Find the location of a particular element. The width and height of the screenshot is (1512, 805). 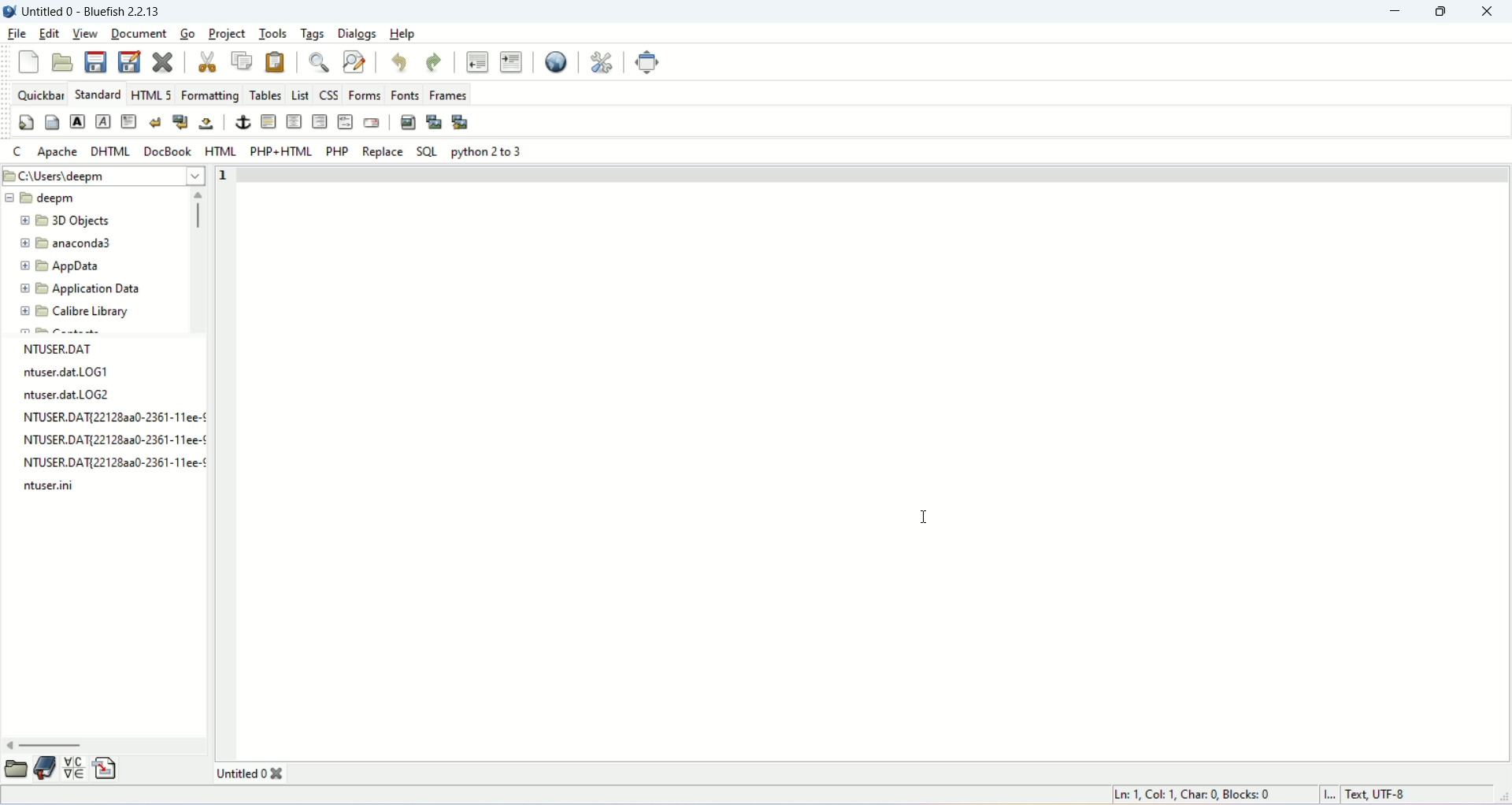

snippet is located at coordinates (106, 768).